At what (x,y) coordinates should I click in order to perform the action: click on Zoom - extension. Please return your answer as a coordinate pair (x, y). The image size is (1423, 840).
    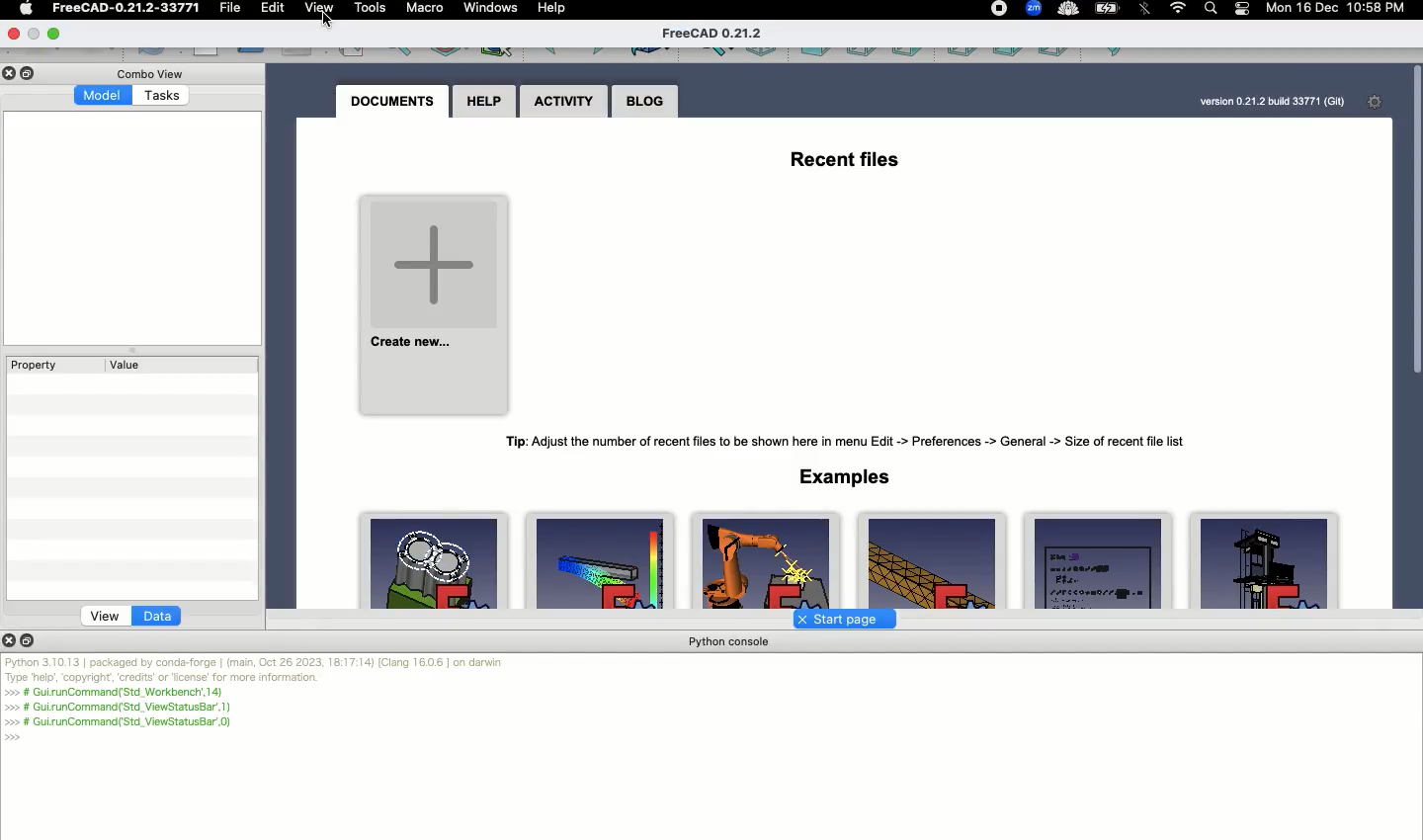
    Looking at the image, I should click on (1033, 10).